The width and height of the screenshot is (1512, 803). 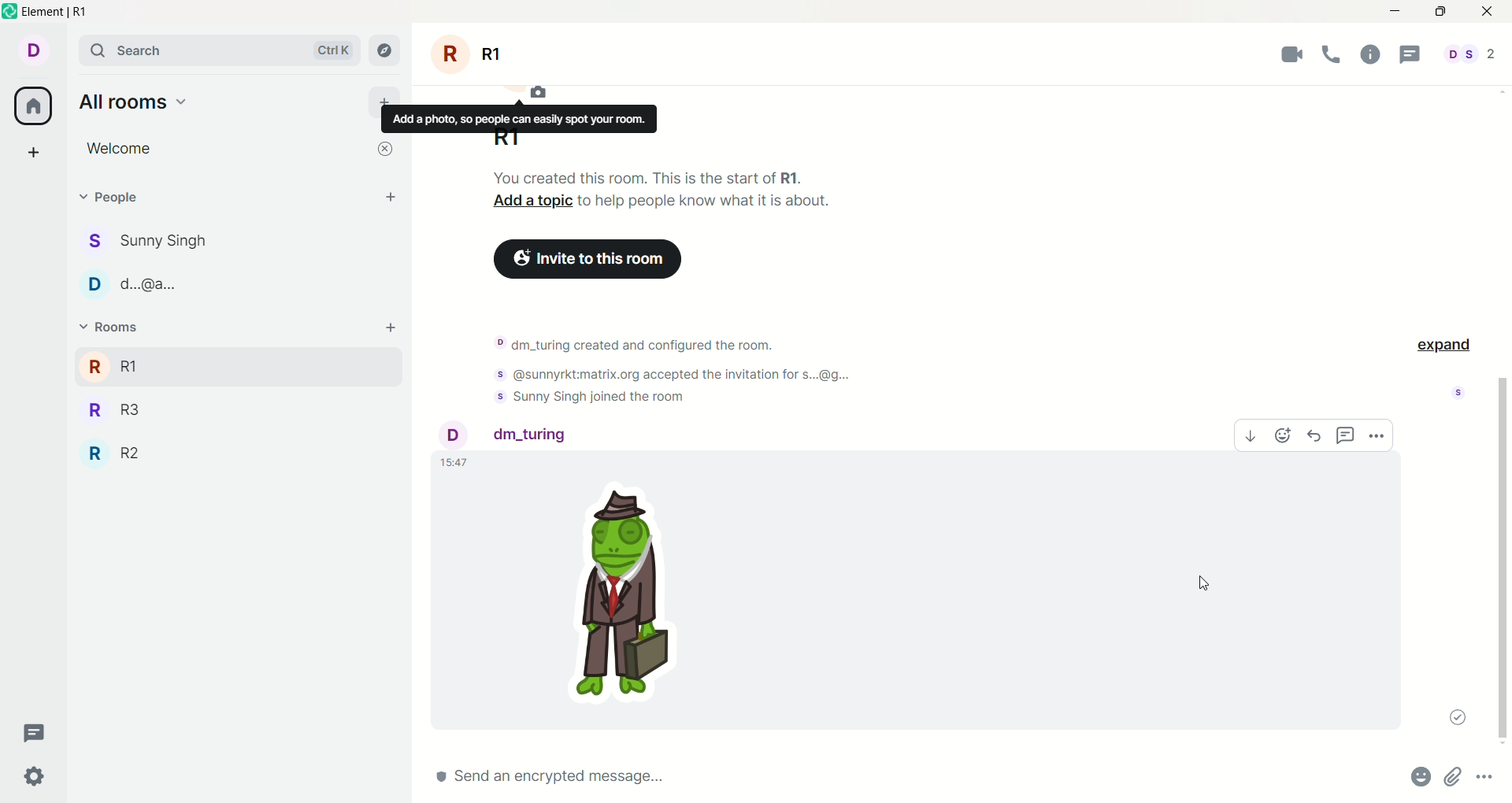 What do you see at coordinates (455, 463) in the screenshot?
I see `Time of message` at bounding box center [455, 463].